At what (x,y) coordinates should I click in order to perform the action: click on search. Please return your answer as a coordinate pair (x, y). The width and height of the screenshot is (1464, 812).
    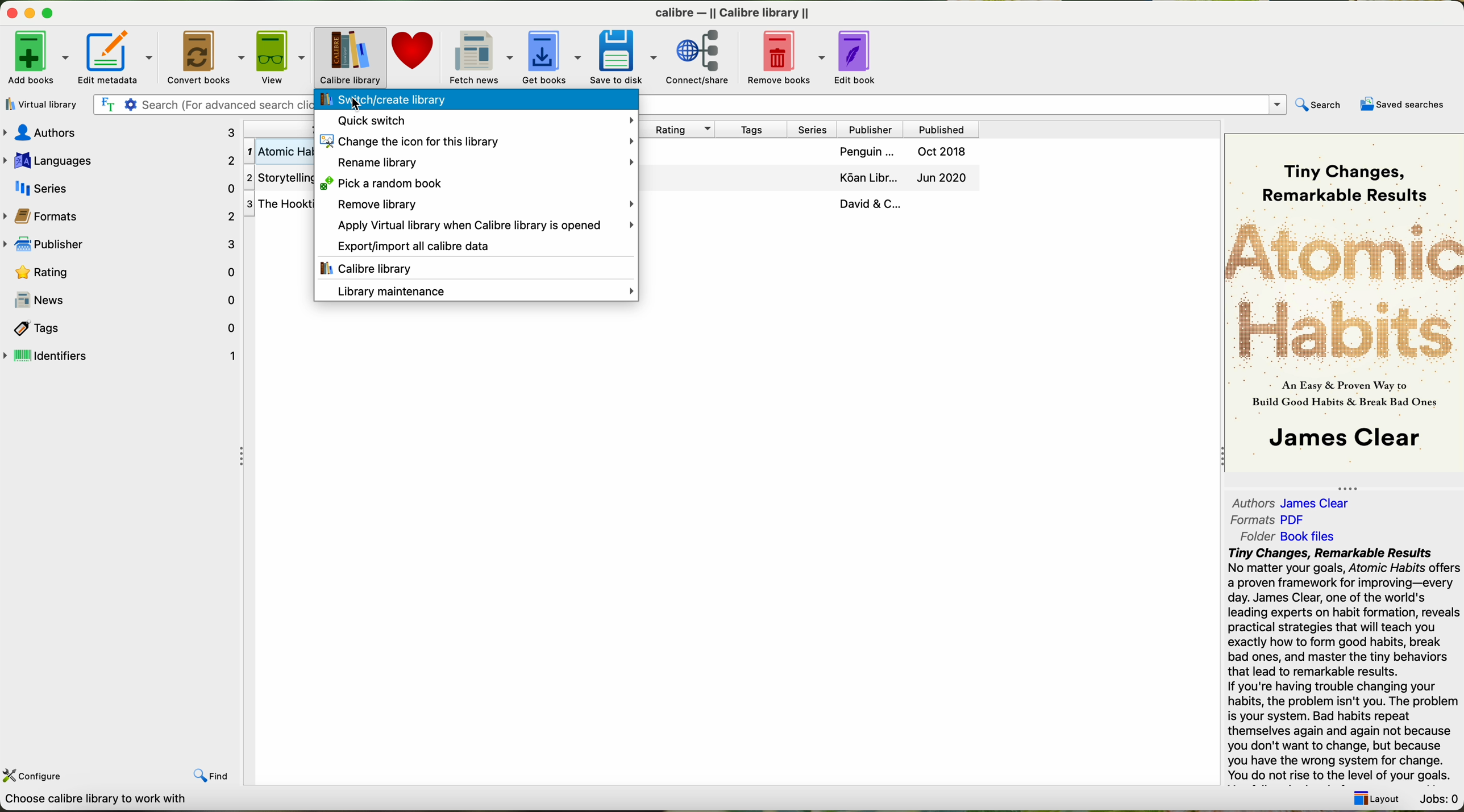
    Looking at the image, I should click on (1317, 106).